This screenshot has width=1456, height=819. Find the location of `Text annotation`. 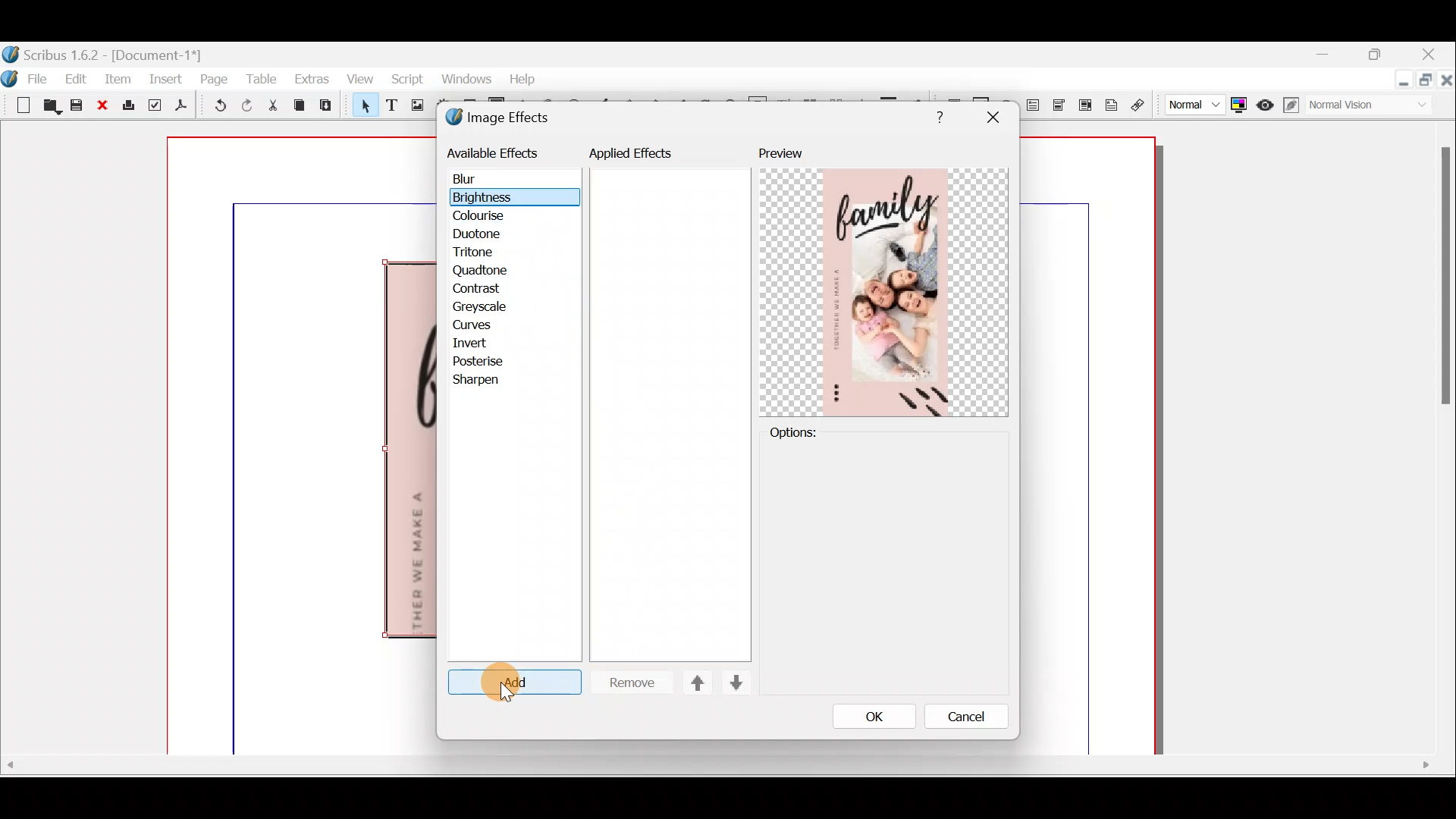

Text annotation is located at coordinates (1111, 103).